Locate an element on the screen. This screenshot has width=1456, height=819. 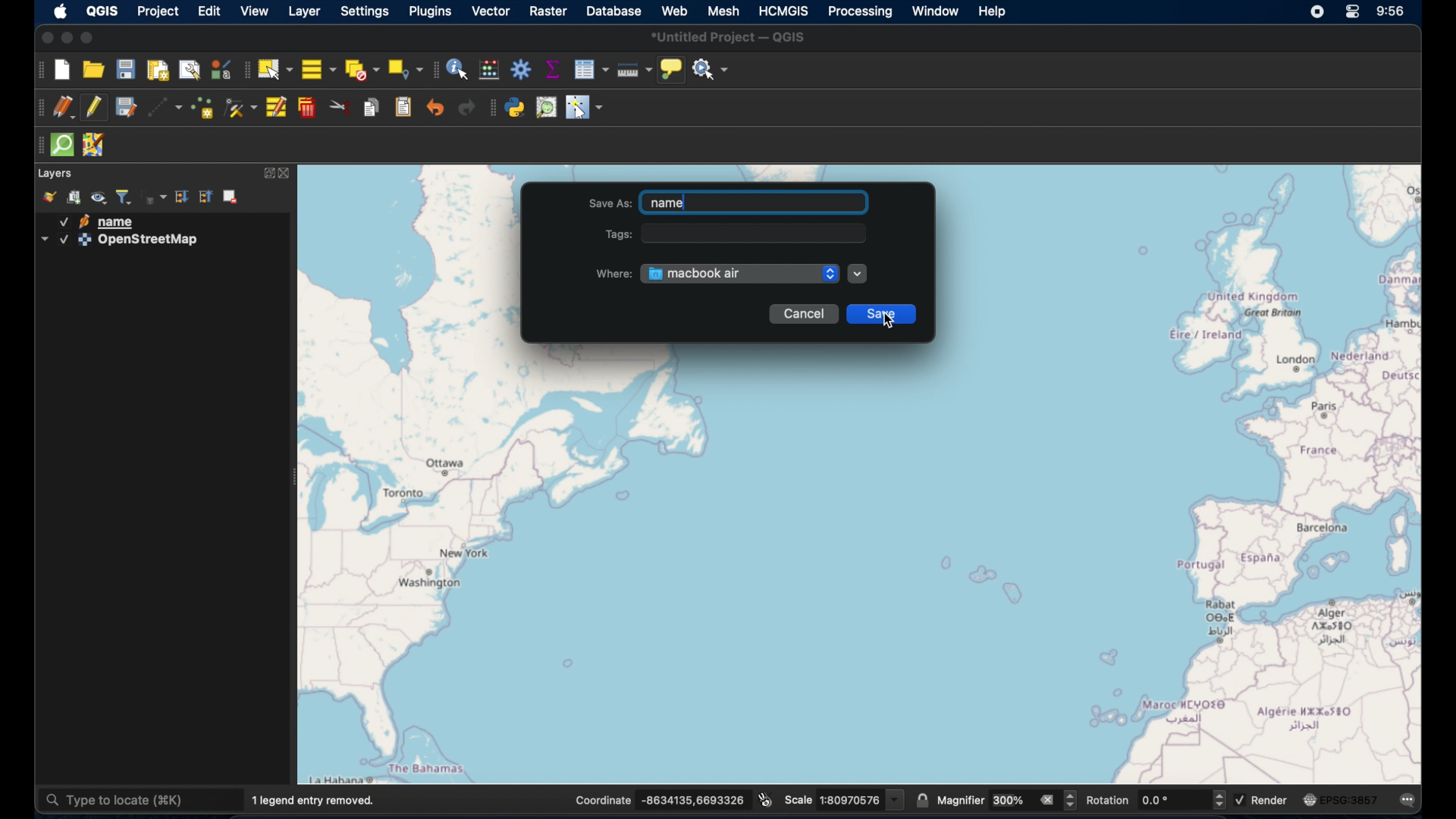
current edits is located at coordinates (64, 108).